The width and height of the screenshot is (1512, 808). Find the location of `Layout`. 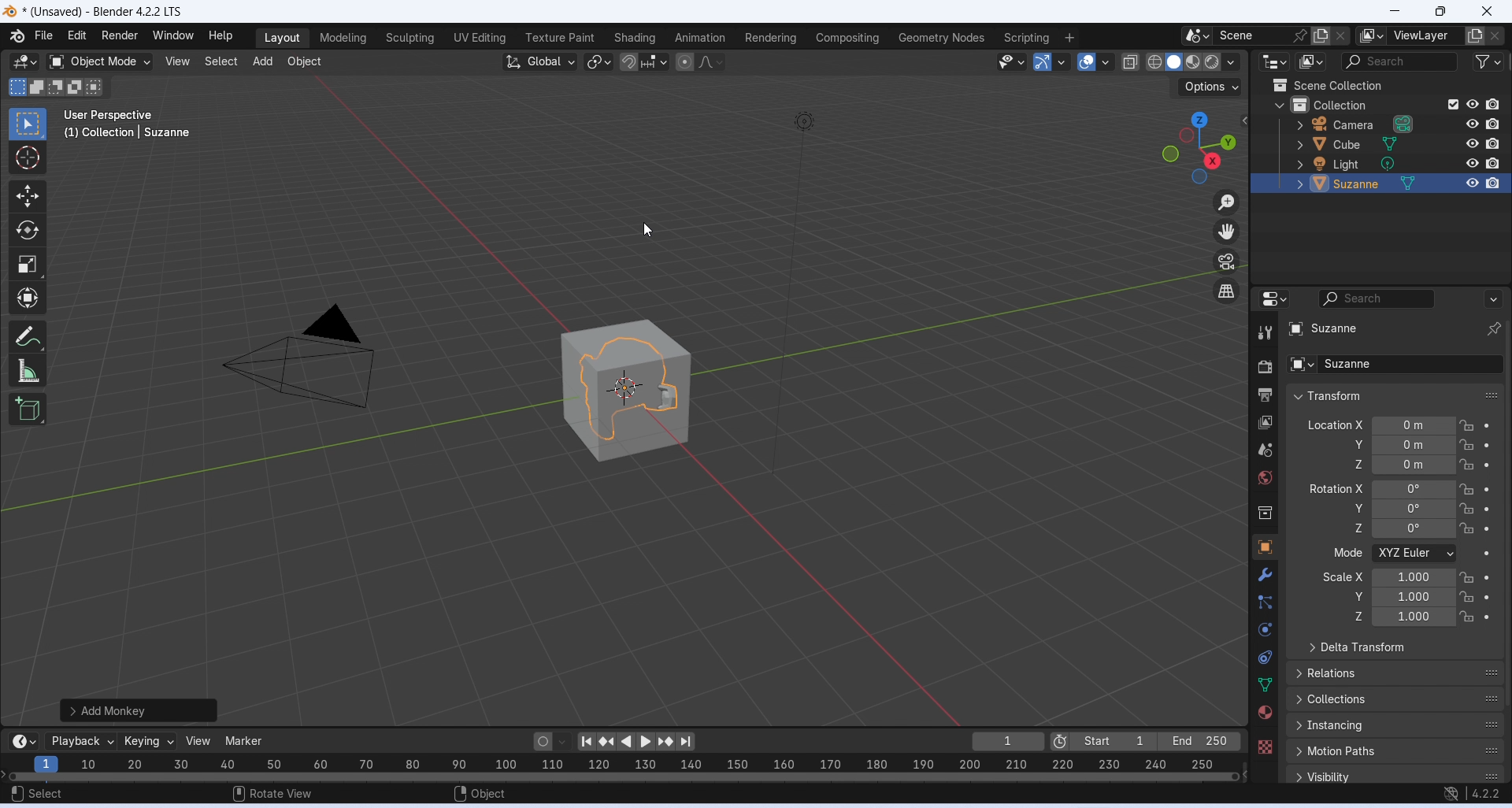

Layout is located at coordinates (282, 39).